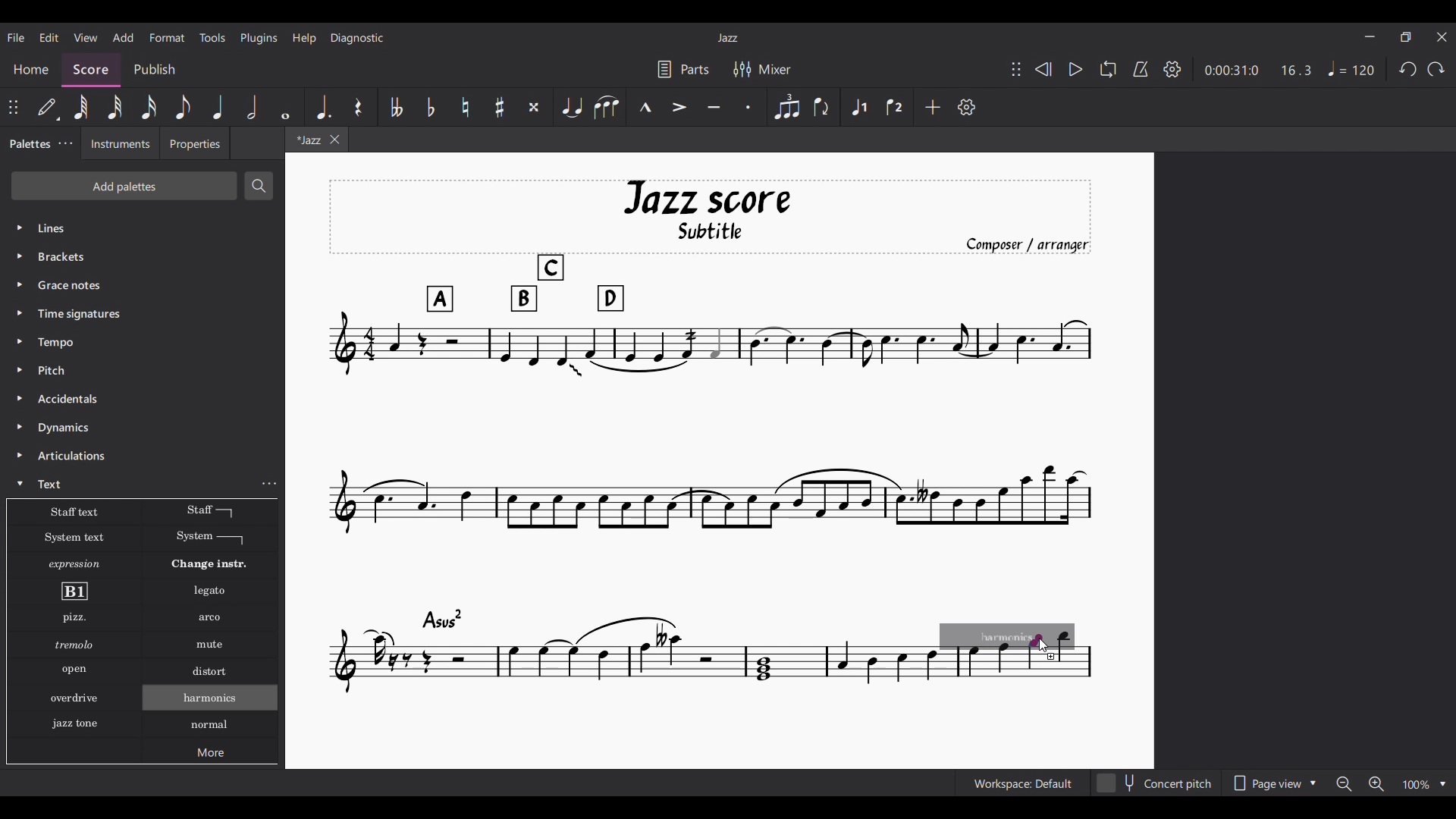 This screenshot has height=819, width=1456. What do you see at coordinates (80, 107) in the screenshot?
I see `64th note` at bounding box center [80, 107].